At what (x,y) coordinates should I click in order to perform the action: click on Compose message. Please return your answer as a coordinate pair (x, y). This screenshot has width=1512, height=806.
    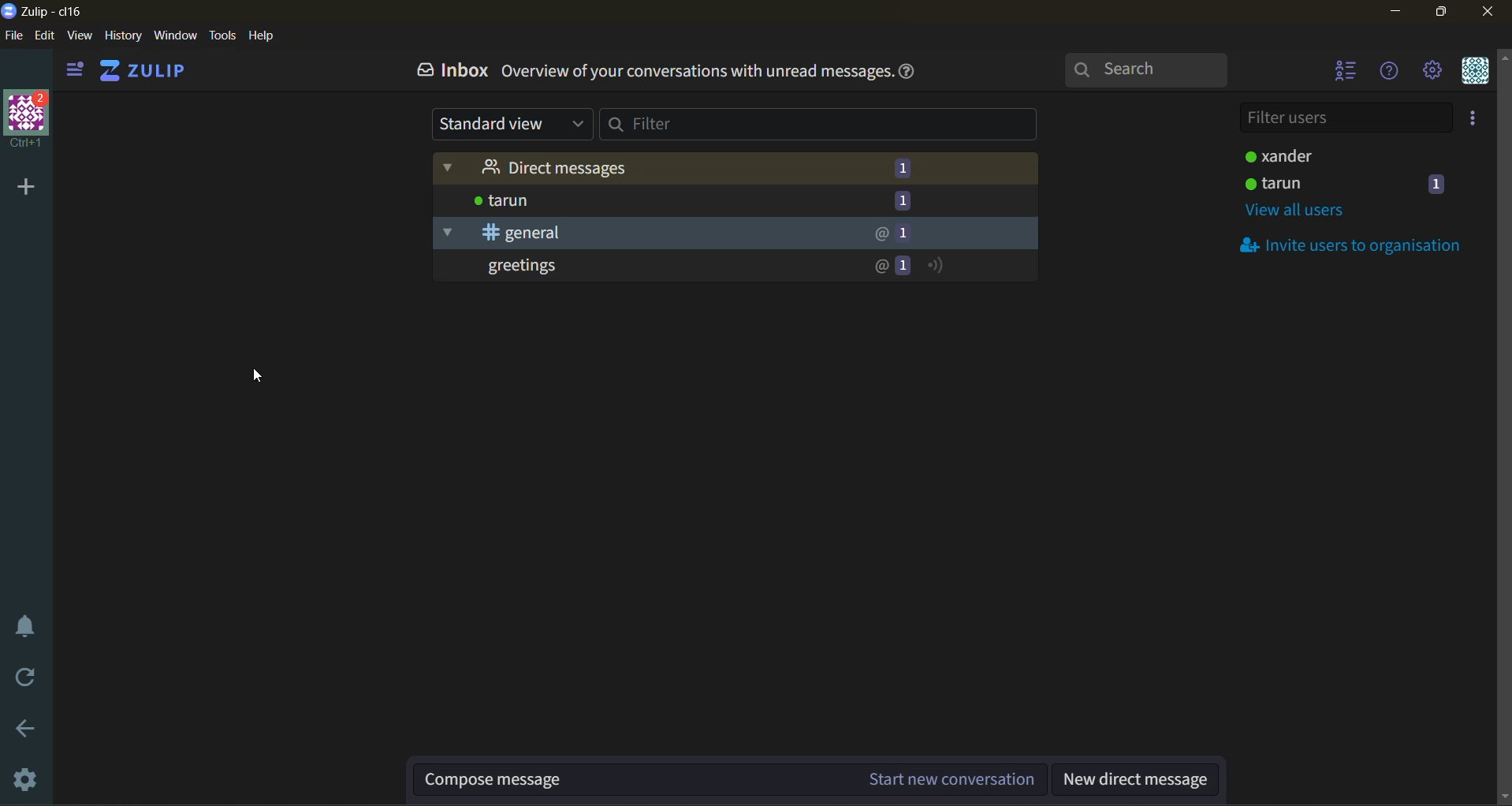
    Looking at the image, I should click on (575, 779).